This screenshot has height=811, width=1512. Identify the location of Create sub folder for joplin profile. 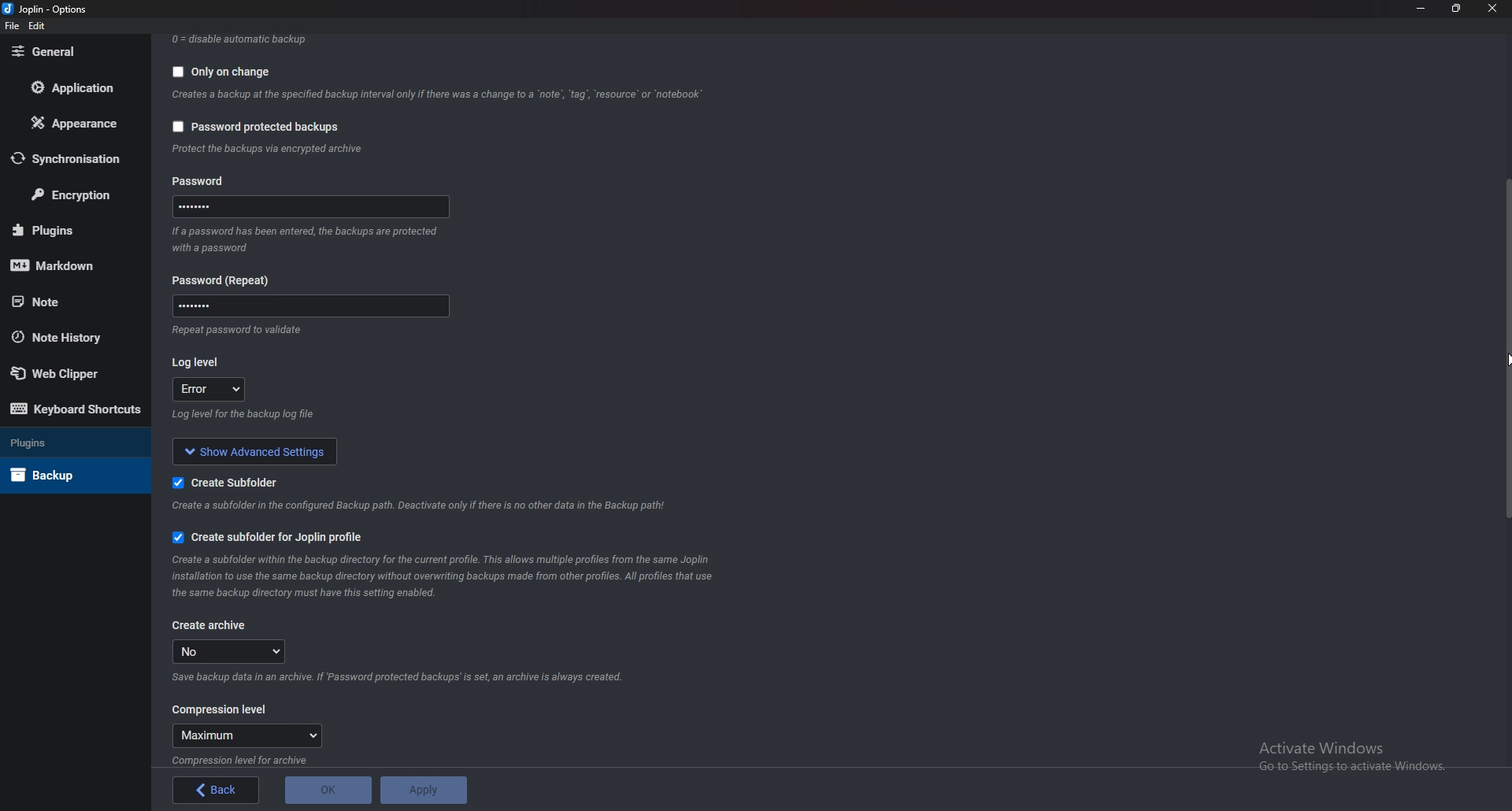
(269, 538).